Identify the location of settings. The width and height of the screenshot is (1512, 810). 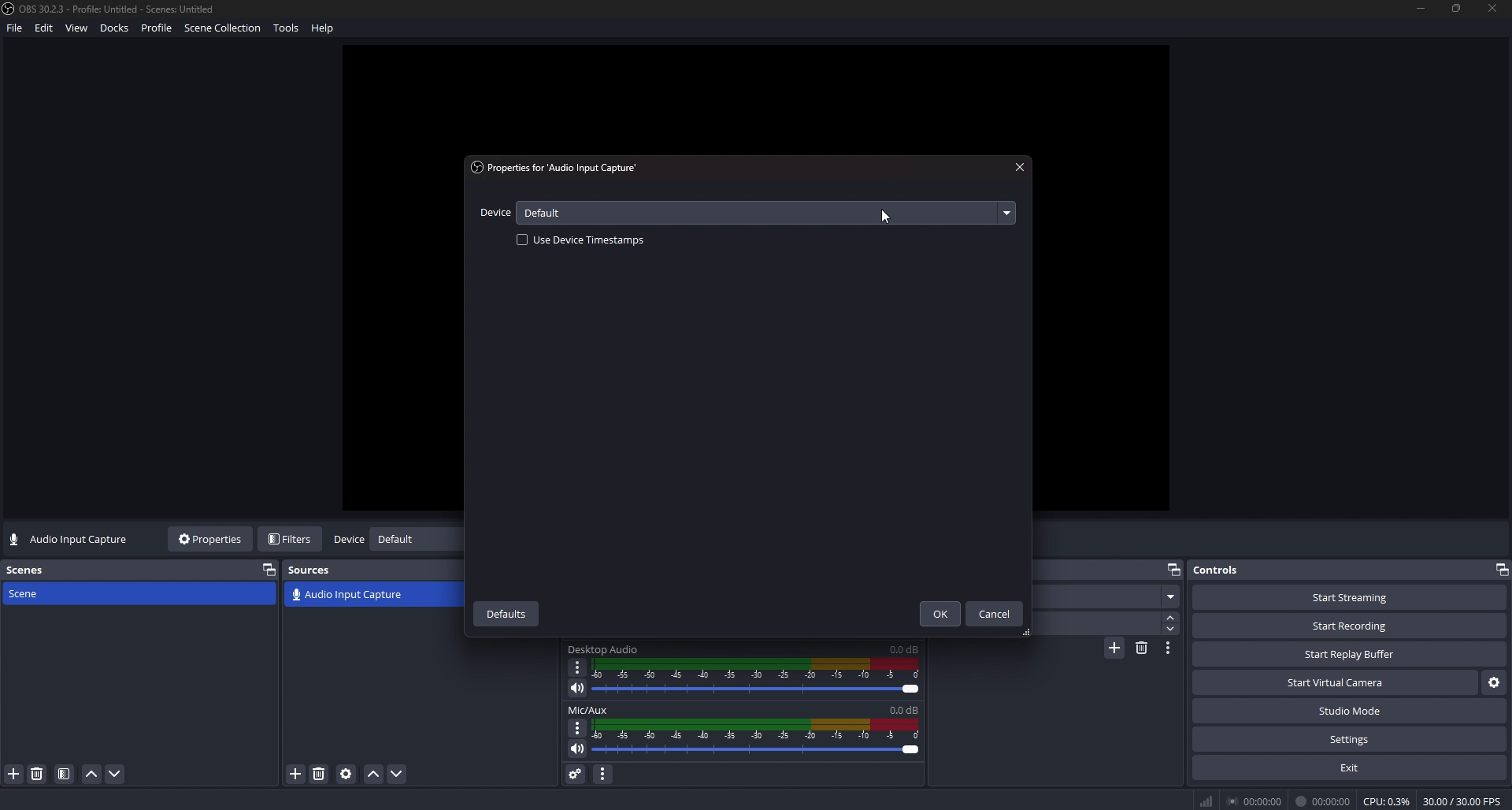
(1492, 684).